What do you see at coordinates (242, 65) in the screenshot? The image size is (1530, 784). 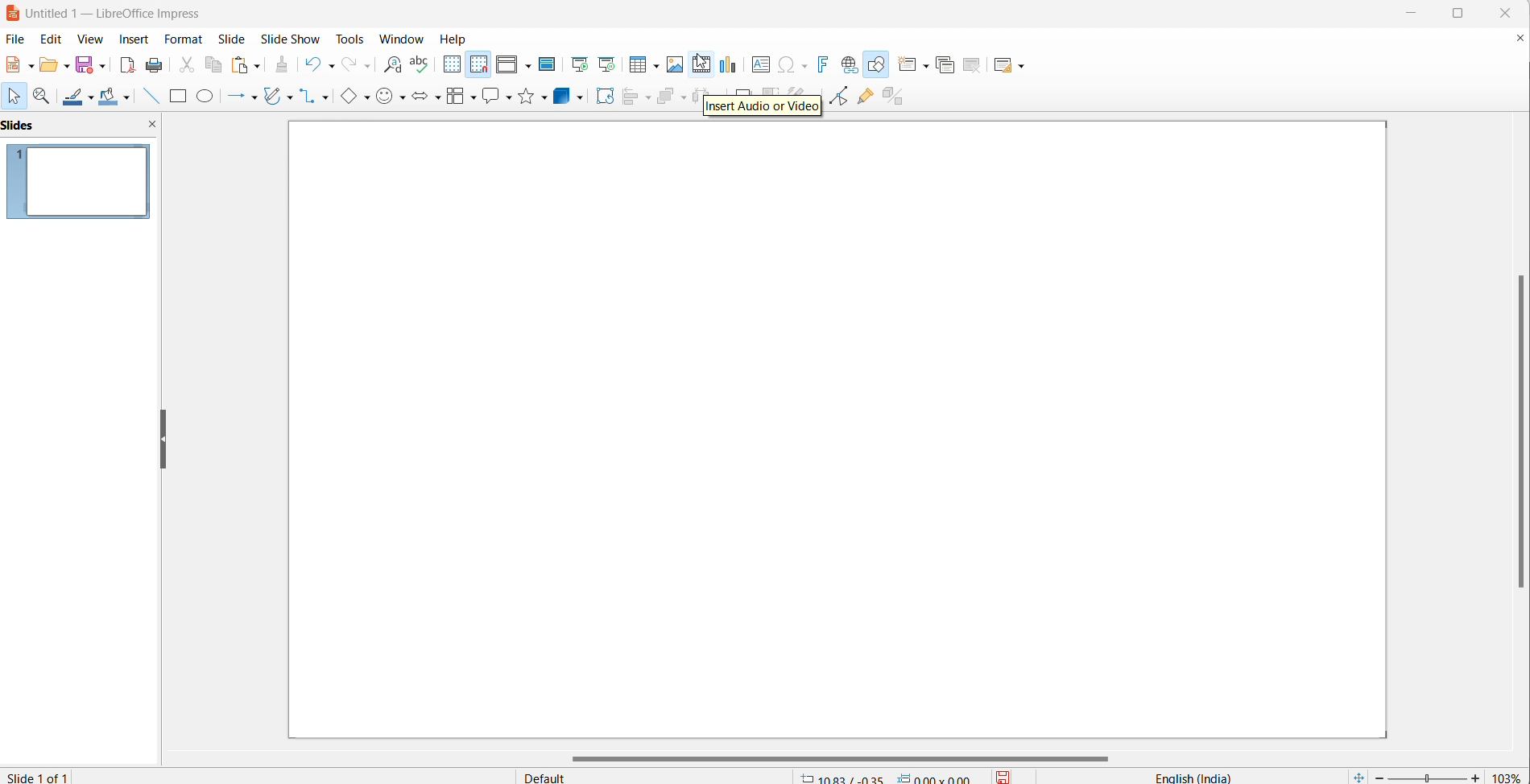 I see `paste` at bounding box center [242, 65].